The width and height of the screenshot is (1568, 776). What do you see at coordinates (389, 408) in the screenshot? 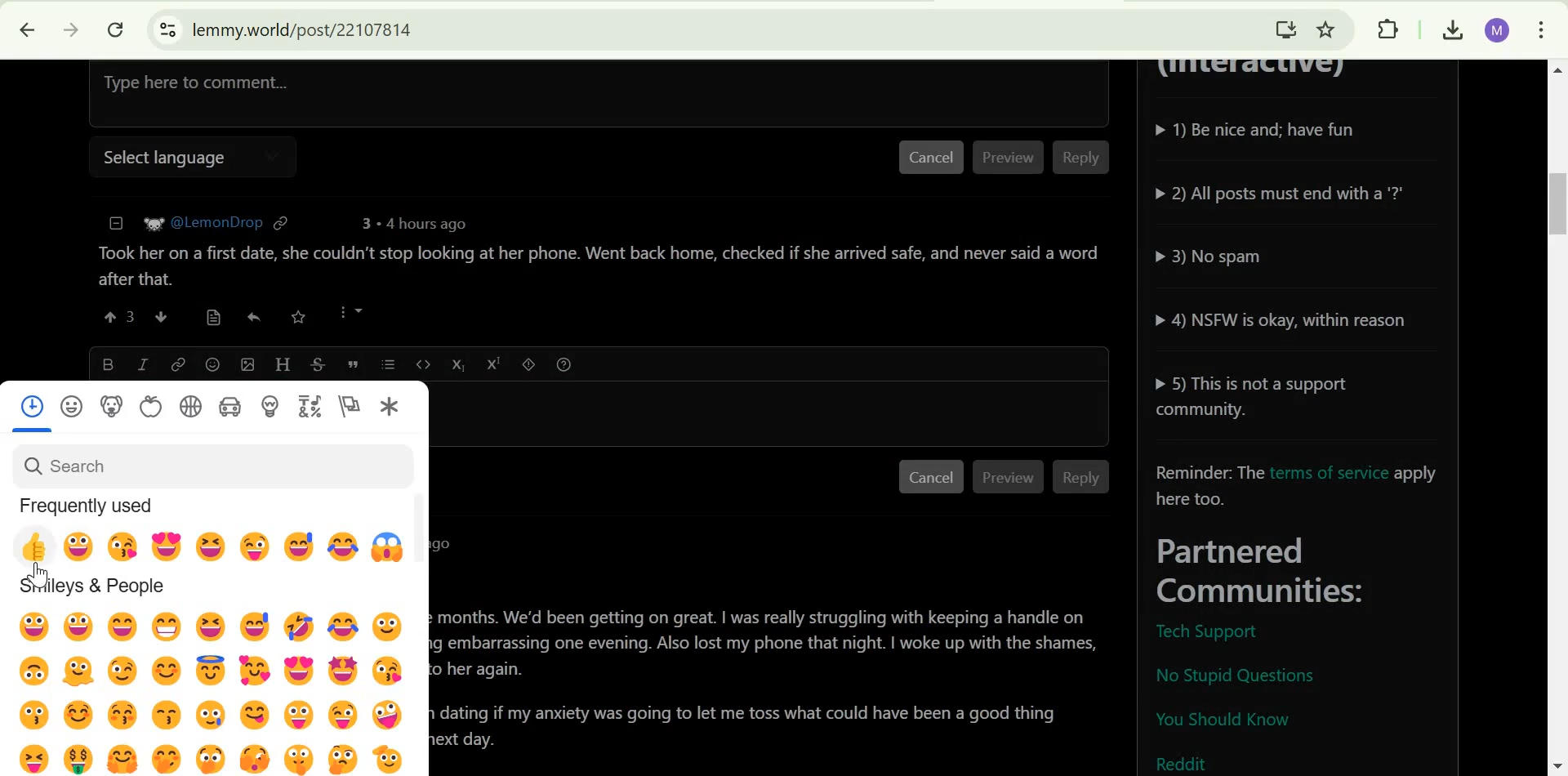
I see `community` at bounding box center [389, 408].